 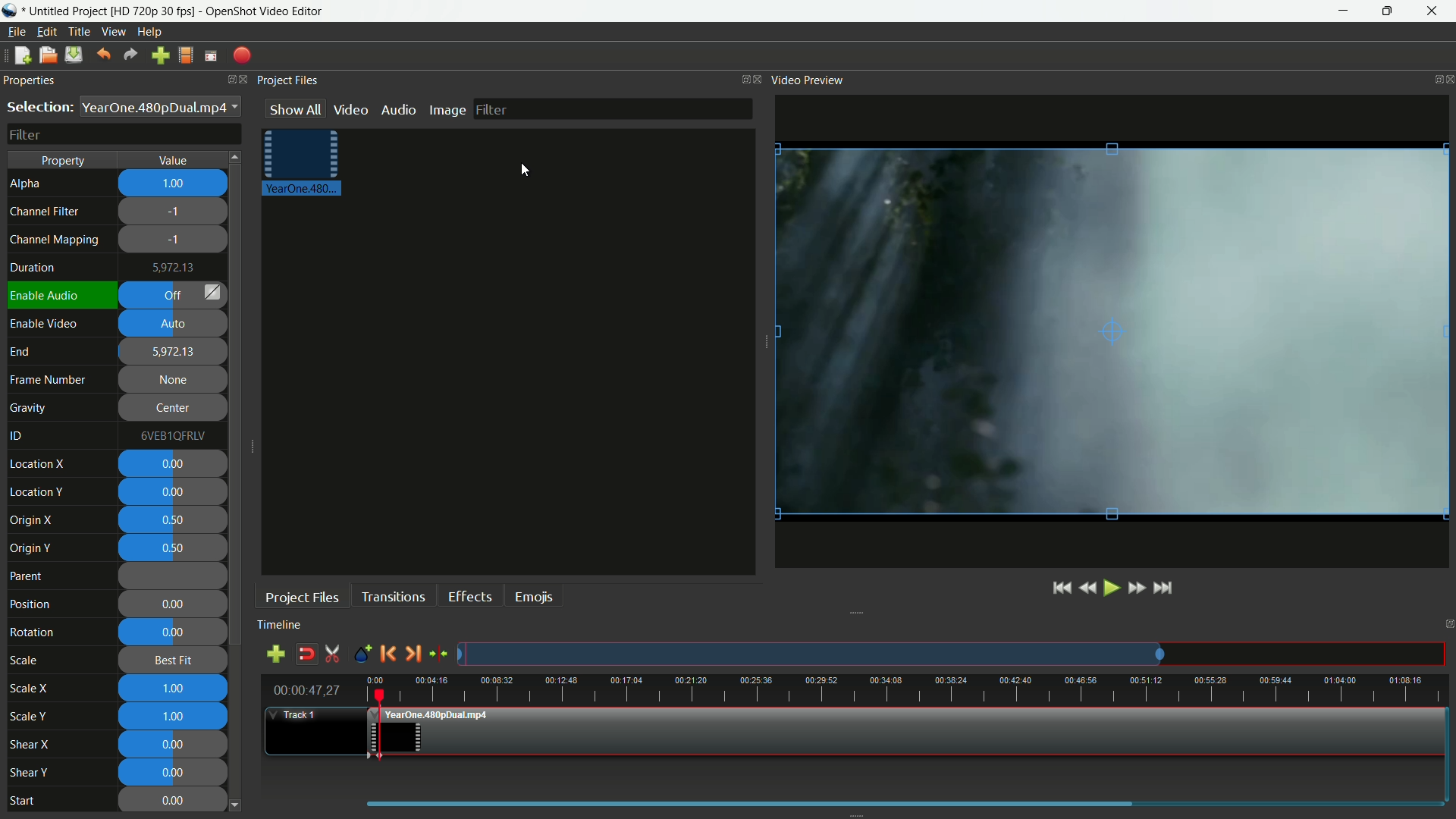 What do you see at coordinates (448, 108) in the screenshot?
I see `image` at bounding box center [448, 108].